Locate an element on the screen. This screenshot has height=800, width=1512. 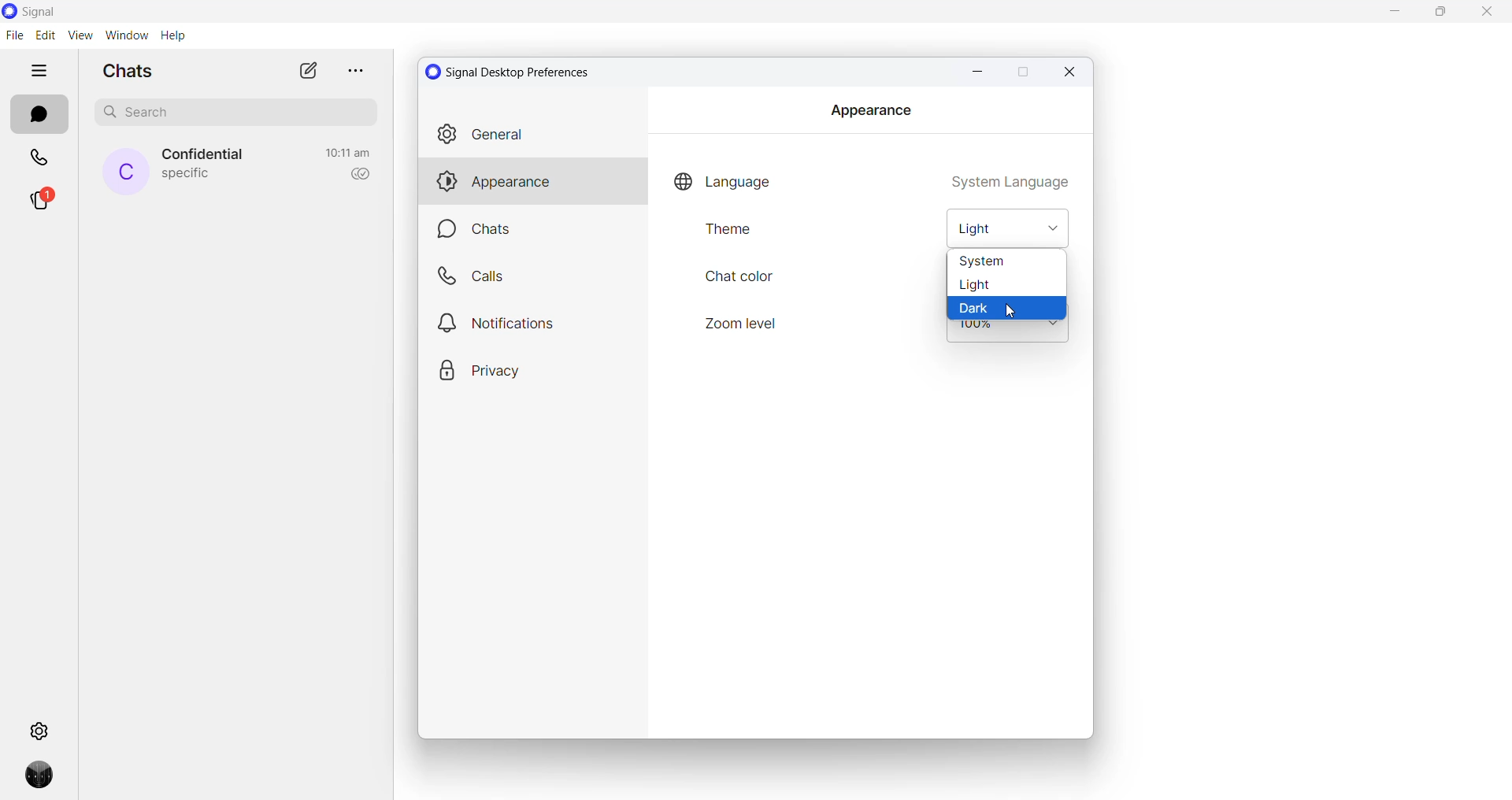
 is located at coordinates (532, 322).